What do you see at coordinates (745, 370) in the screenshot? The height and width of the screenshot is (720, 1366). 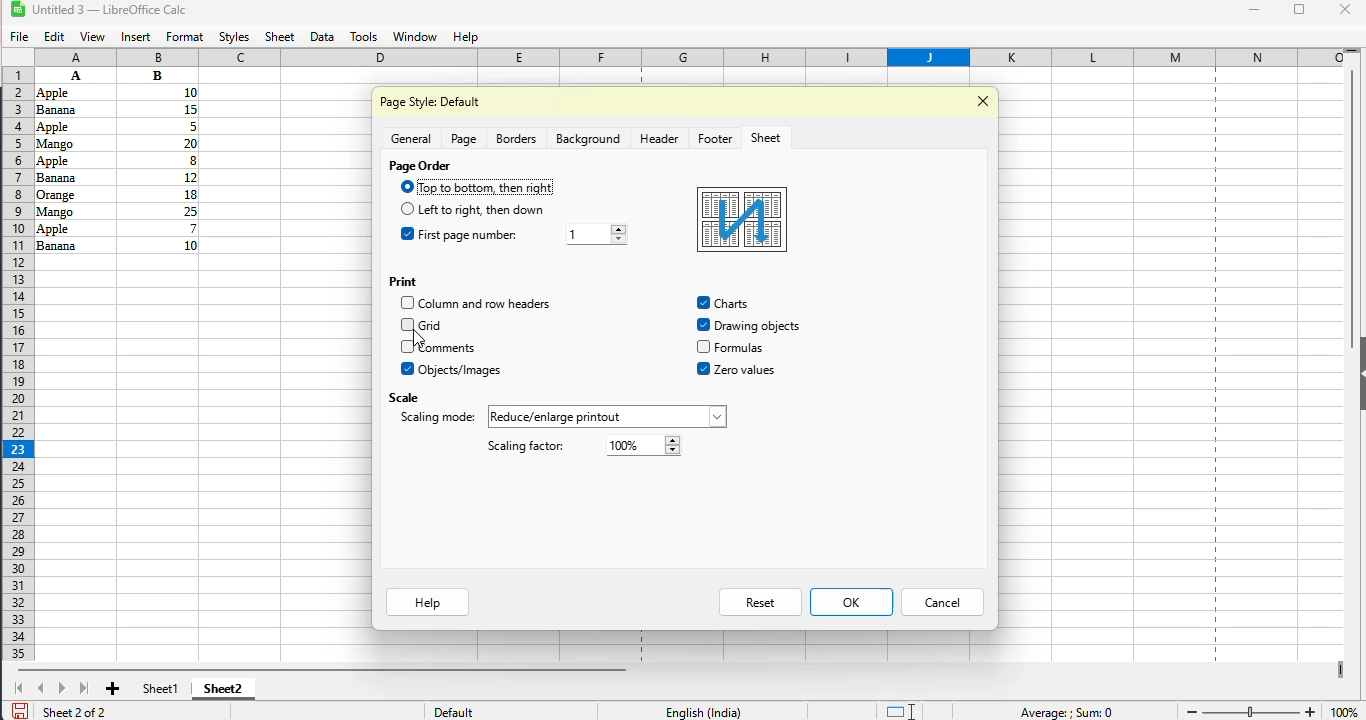 I see `` at bounding box center [745, 370].